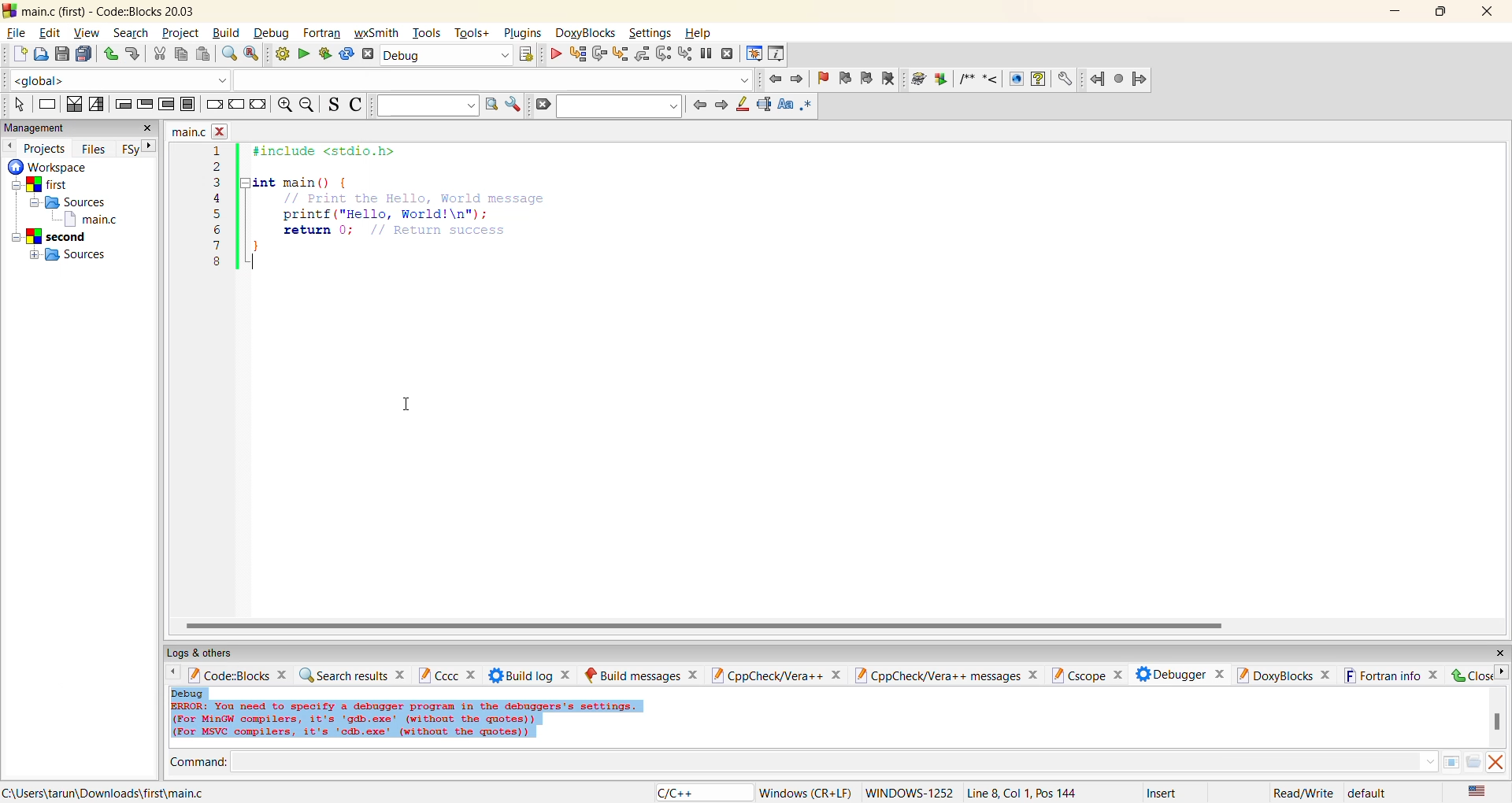  I want to click on show options window, so click(515, 105).